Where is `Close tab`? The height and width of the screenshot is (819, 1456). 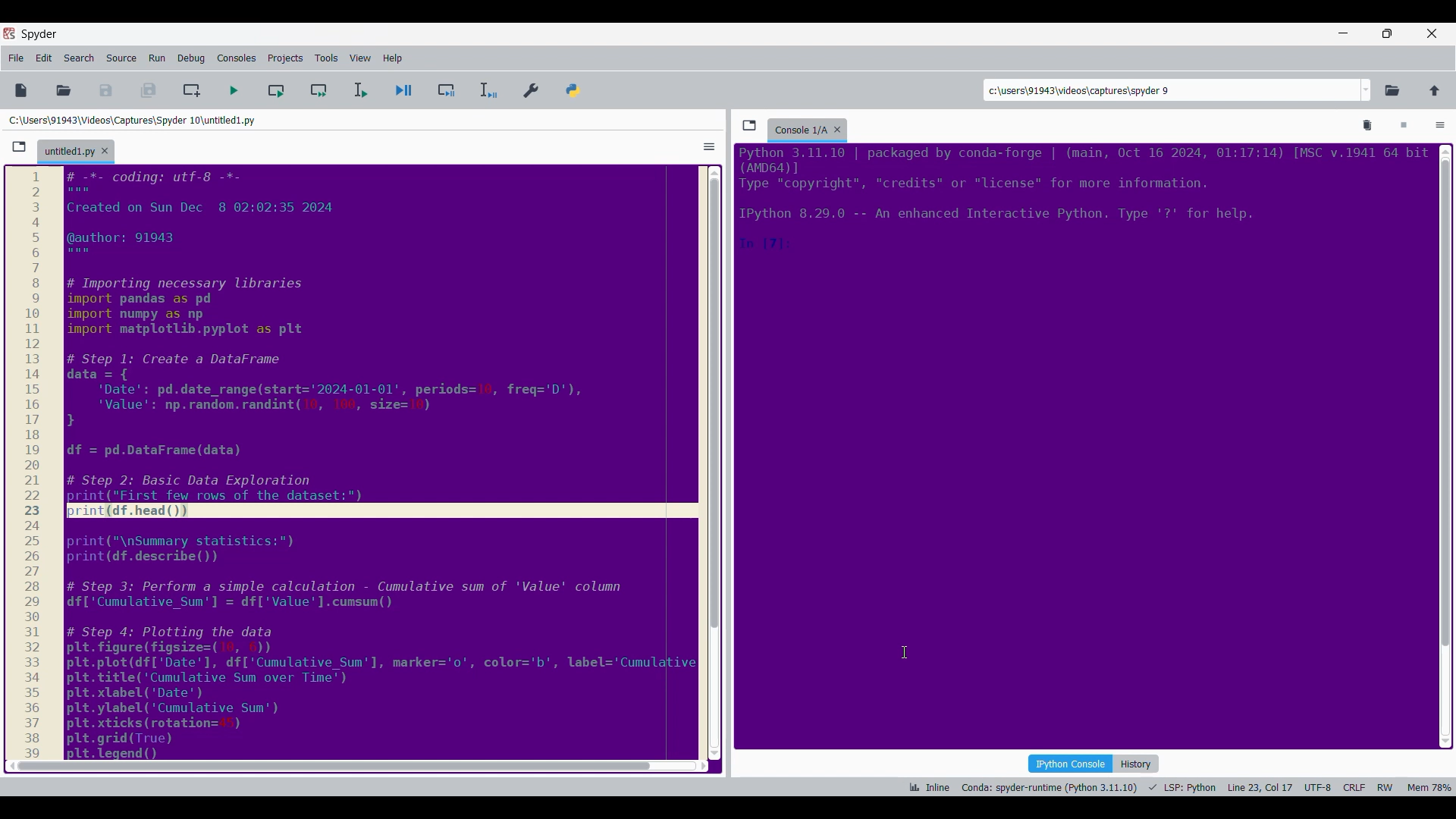
Close tab is located at coordinates (1432, 33).